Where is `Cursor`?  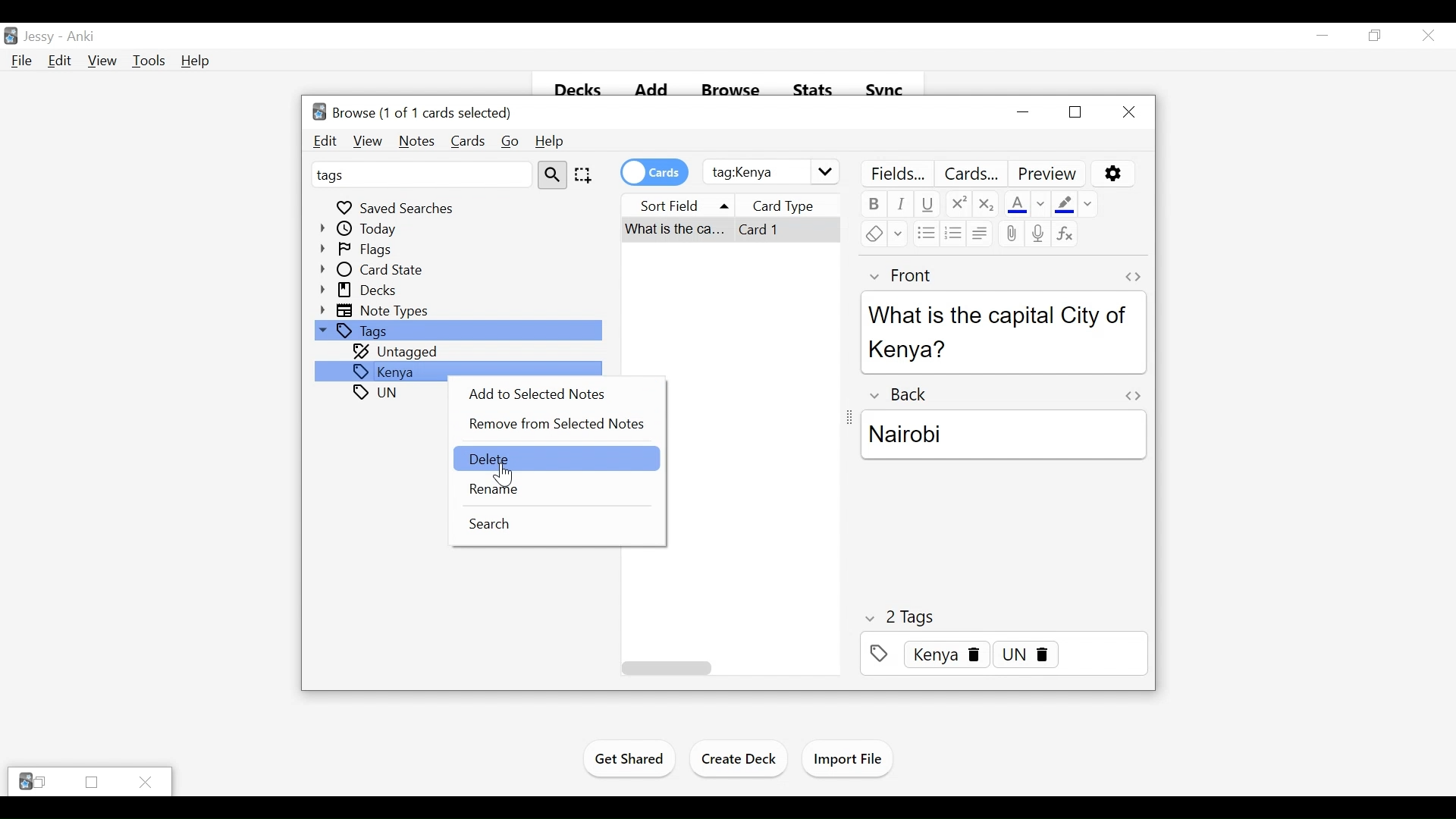 Cursor is located at coordinates (507, 474).